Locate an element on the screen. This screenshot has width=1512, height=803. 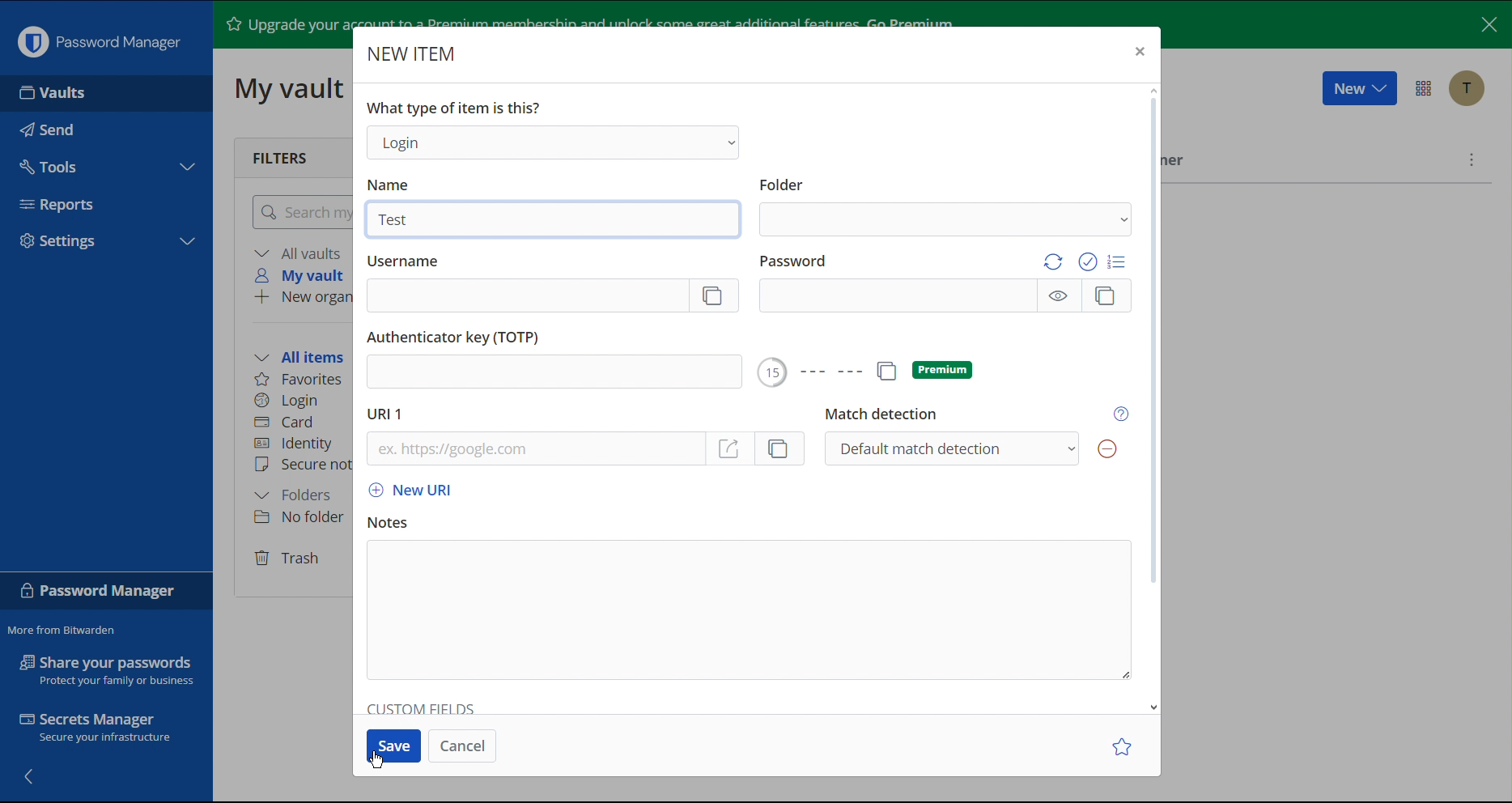
All items is located at coordinates (299, 359).